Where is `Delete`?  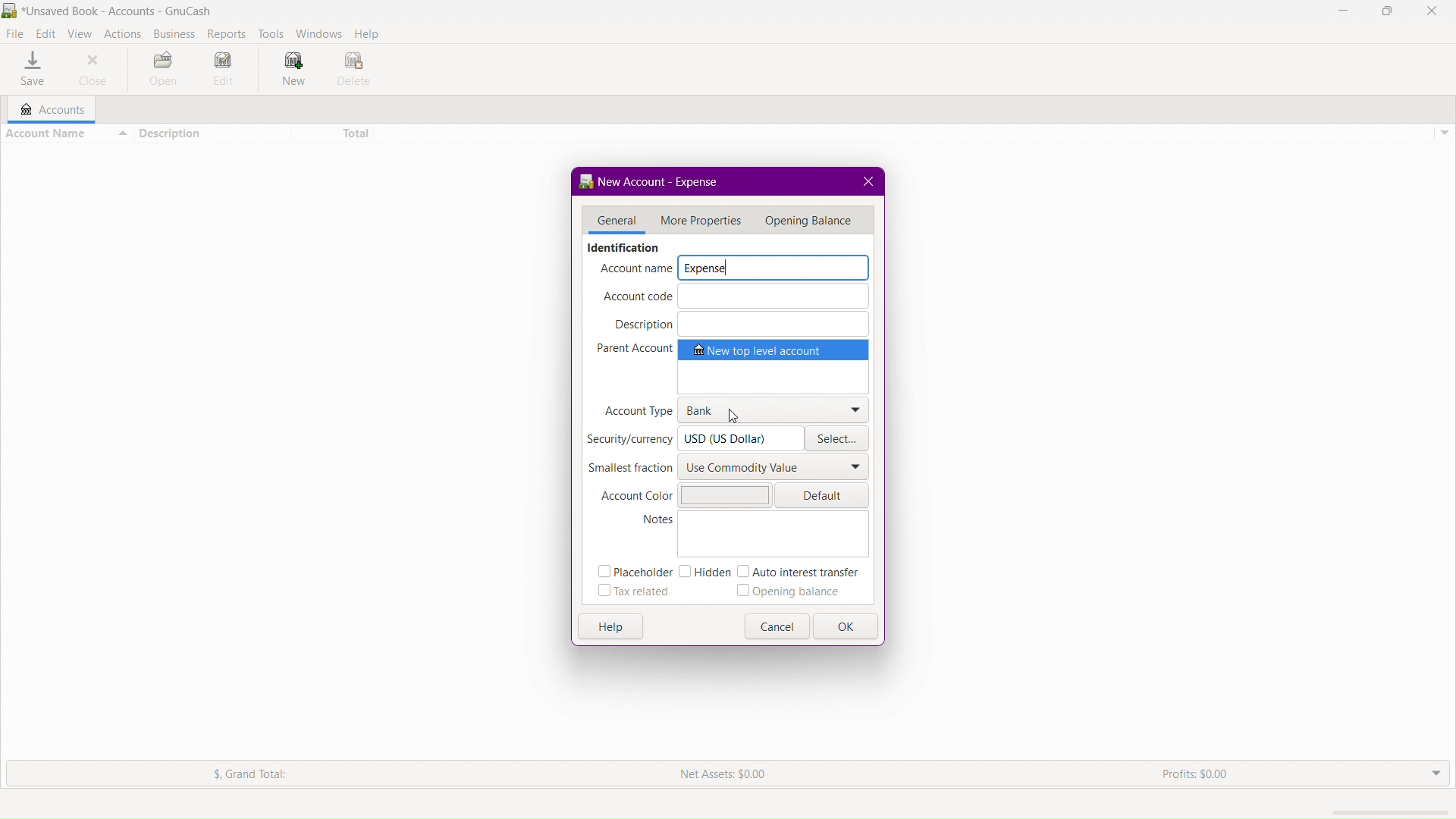
Delete is located at coordinates (354, 71).